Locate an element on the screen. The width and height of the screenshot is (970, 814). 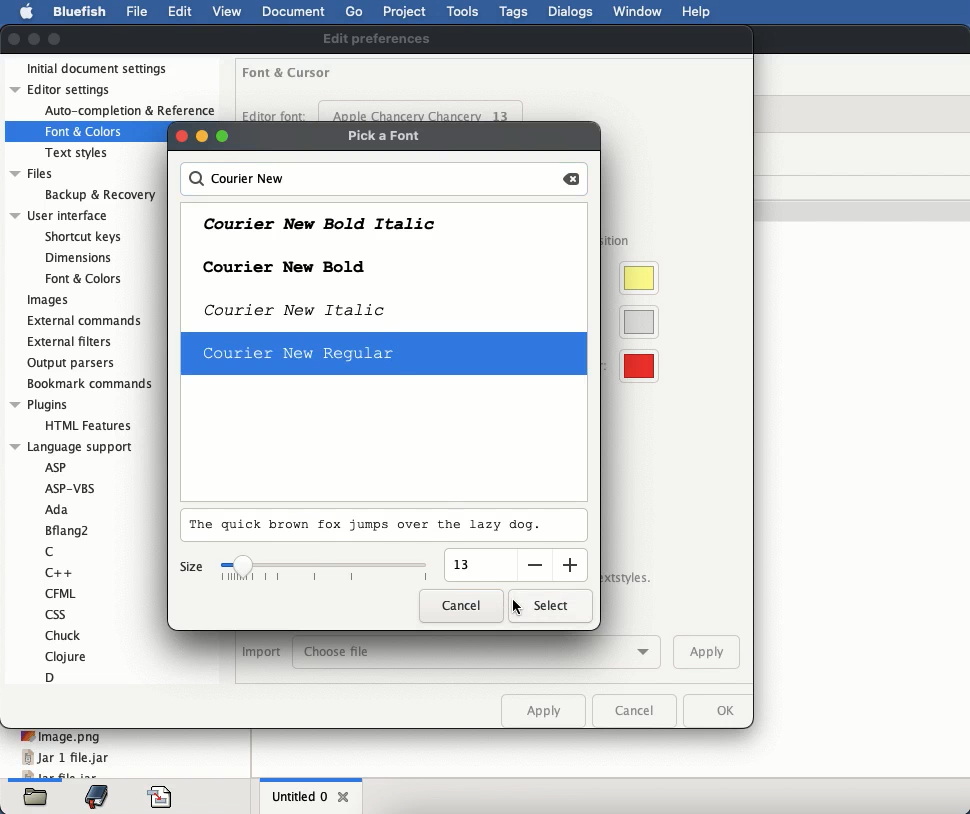
view is located at coordinates (230, 11).